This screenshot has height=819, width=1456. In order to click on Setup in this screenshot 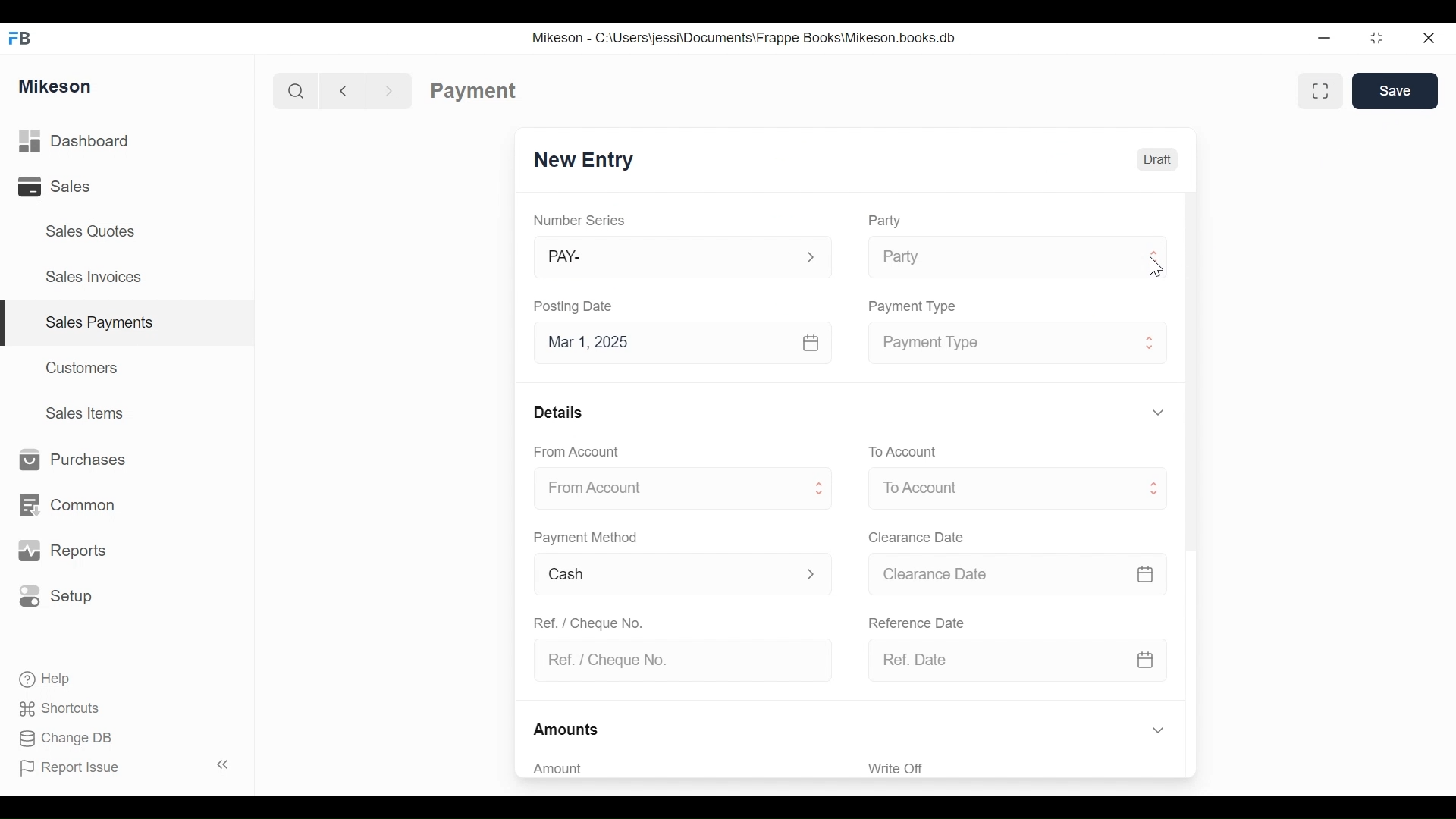, I will do `click(61, 597)`.